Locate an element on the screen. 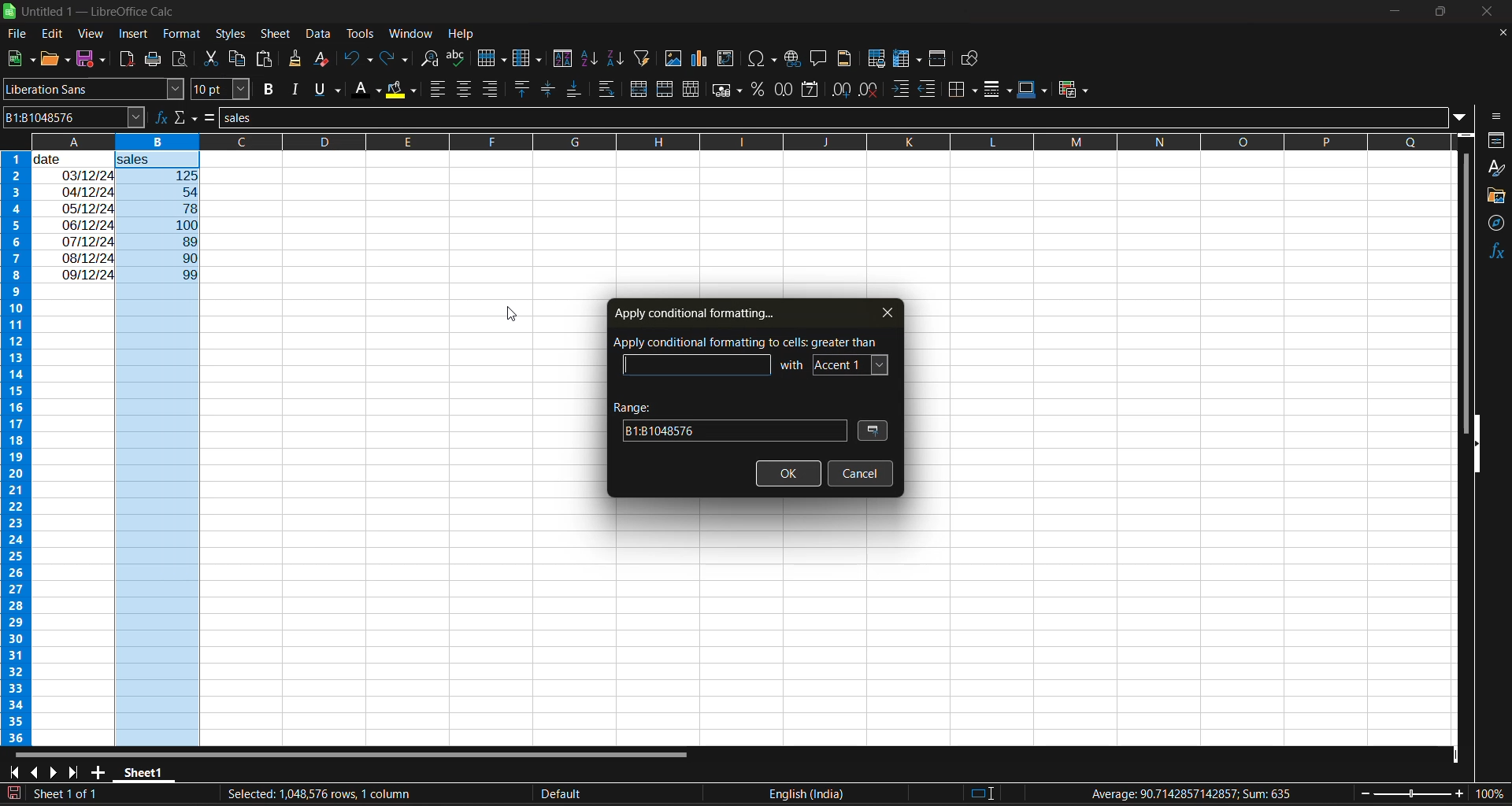 This screenshot has width=1512, height=806. file is located at coordinates (19, 33).